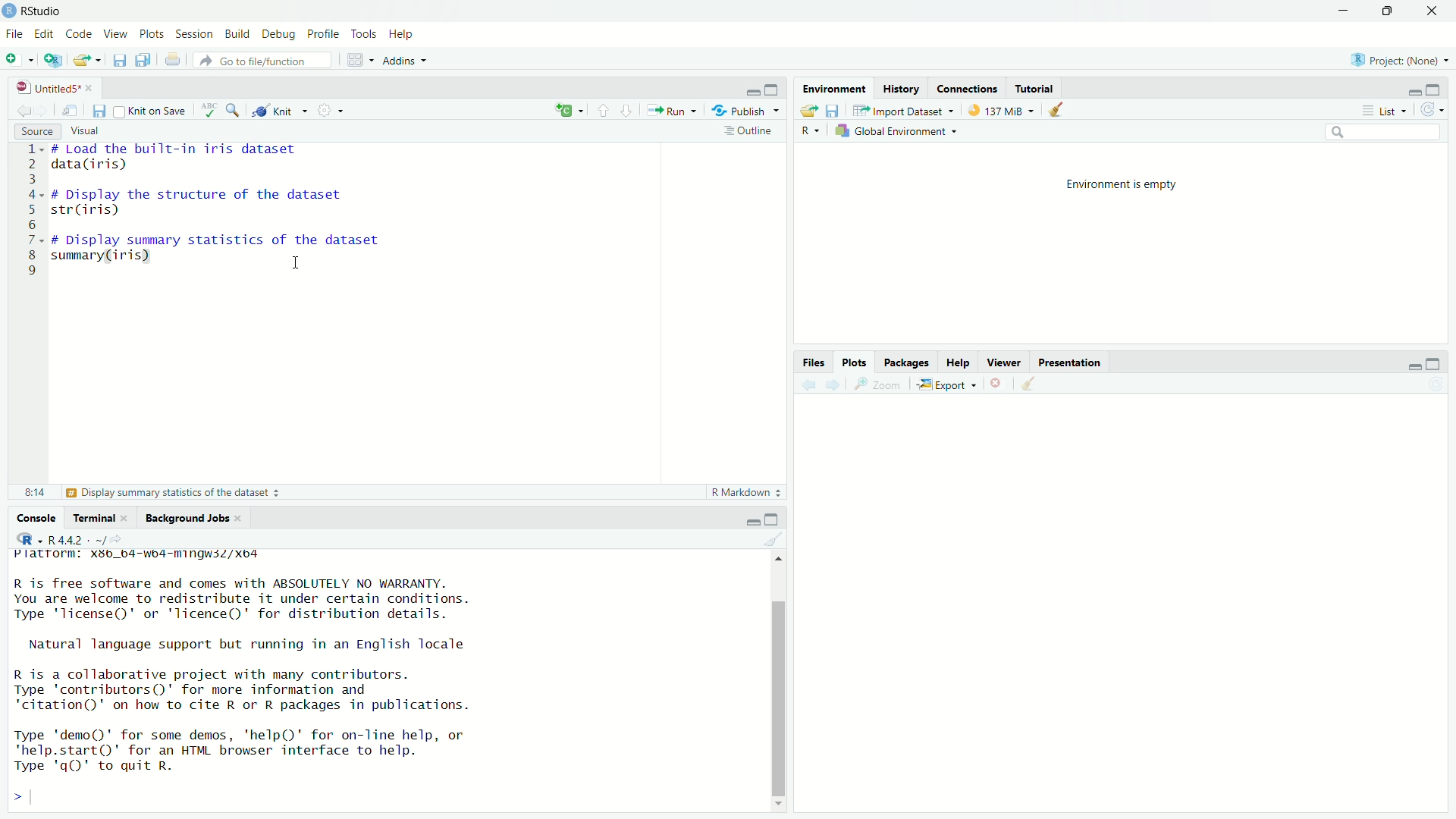  I want to click on R, so click(811, 130).